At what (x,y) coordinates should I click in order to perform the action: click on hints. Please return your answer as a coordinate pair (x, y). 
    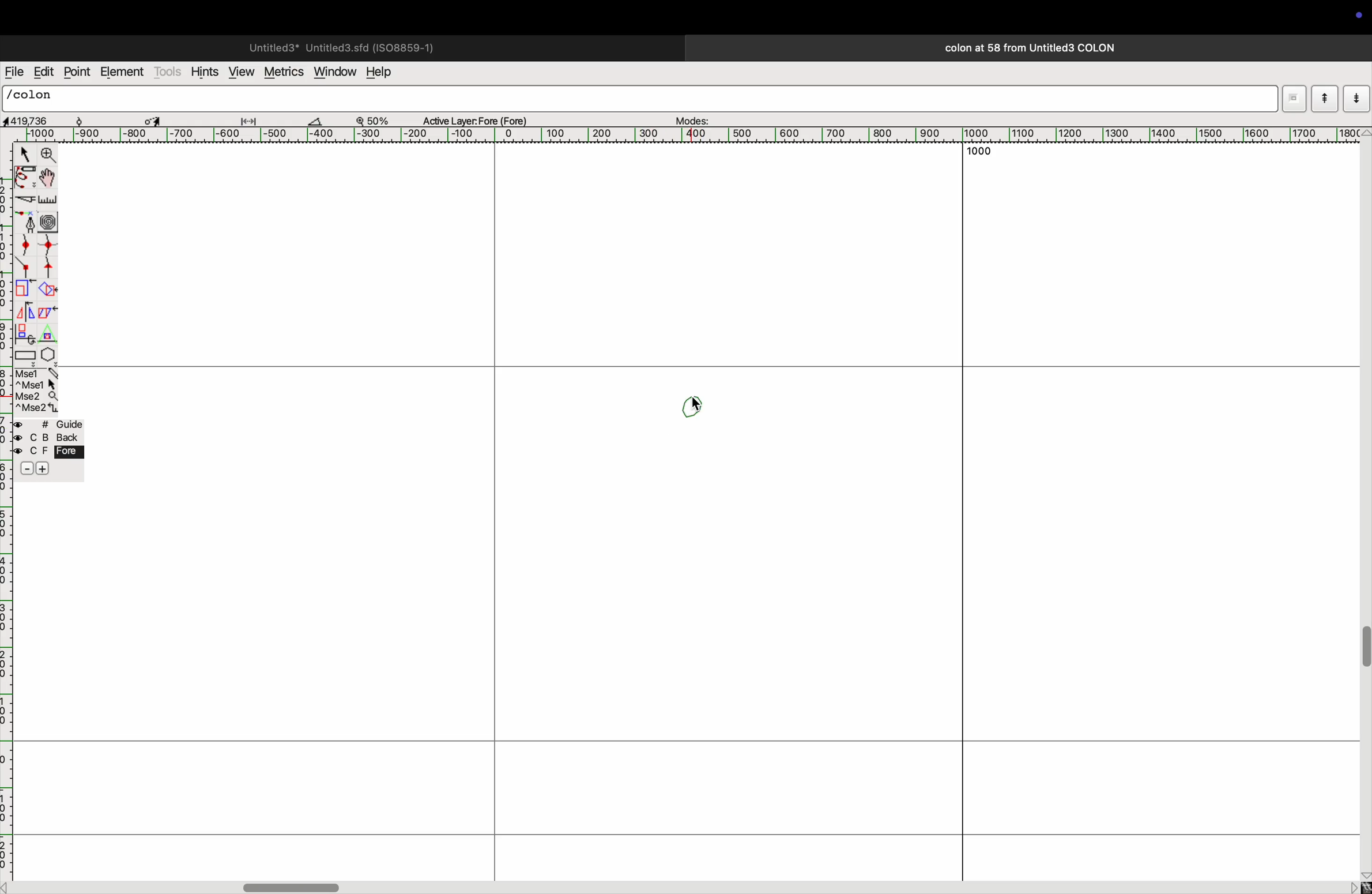
    Looking at the image, I should click on (205, 70).